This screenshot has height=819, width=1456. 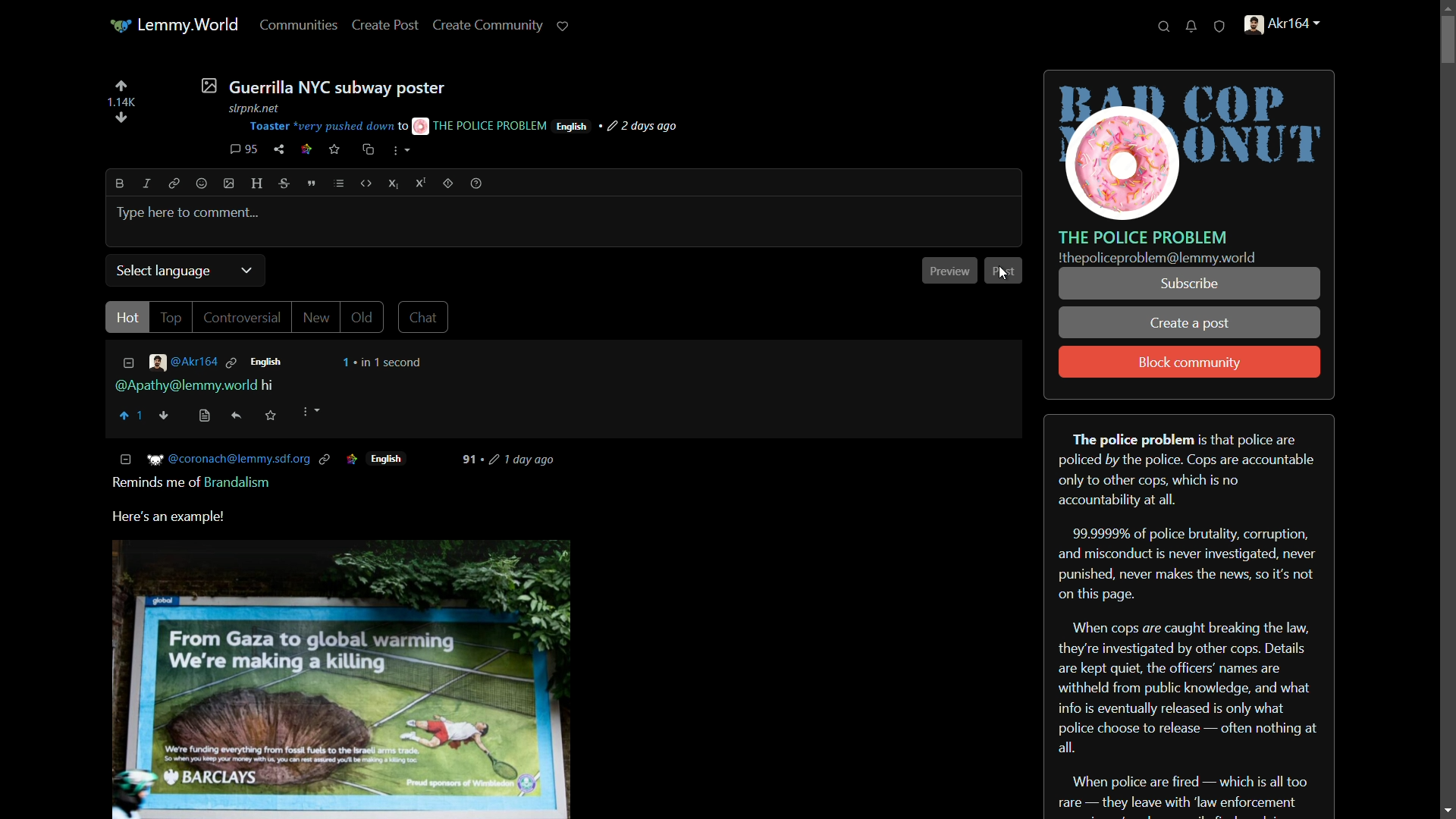 I want to click on post-time, so click(x=645, y=127).